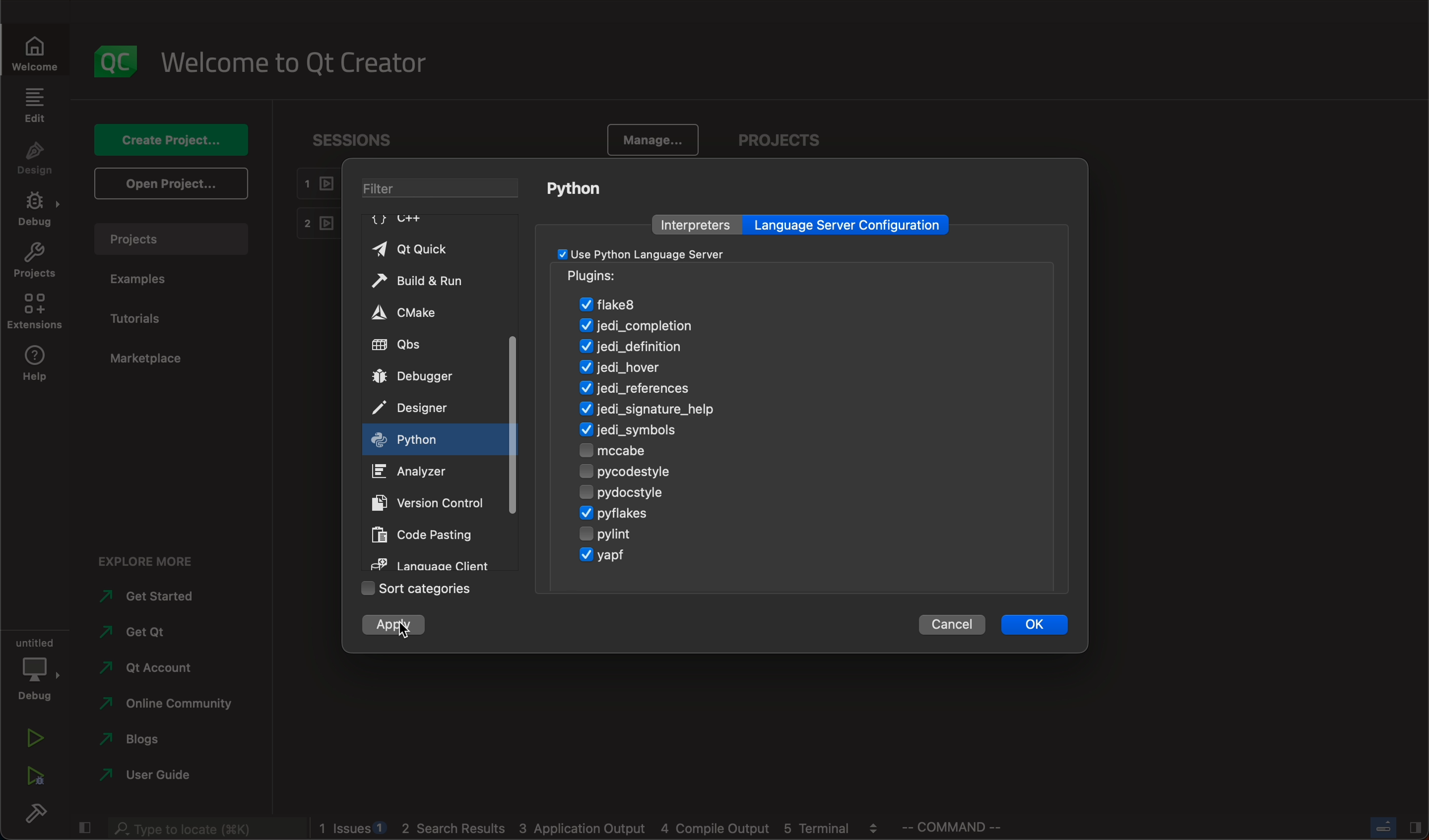 This screenshot has width=1429, height=840. I want to click on refernces, so click(637, 388).